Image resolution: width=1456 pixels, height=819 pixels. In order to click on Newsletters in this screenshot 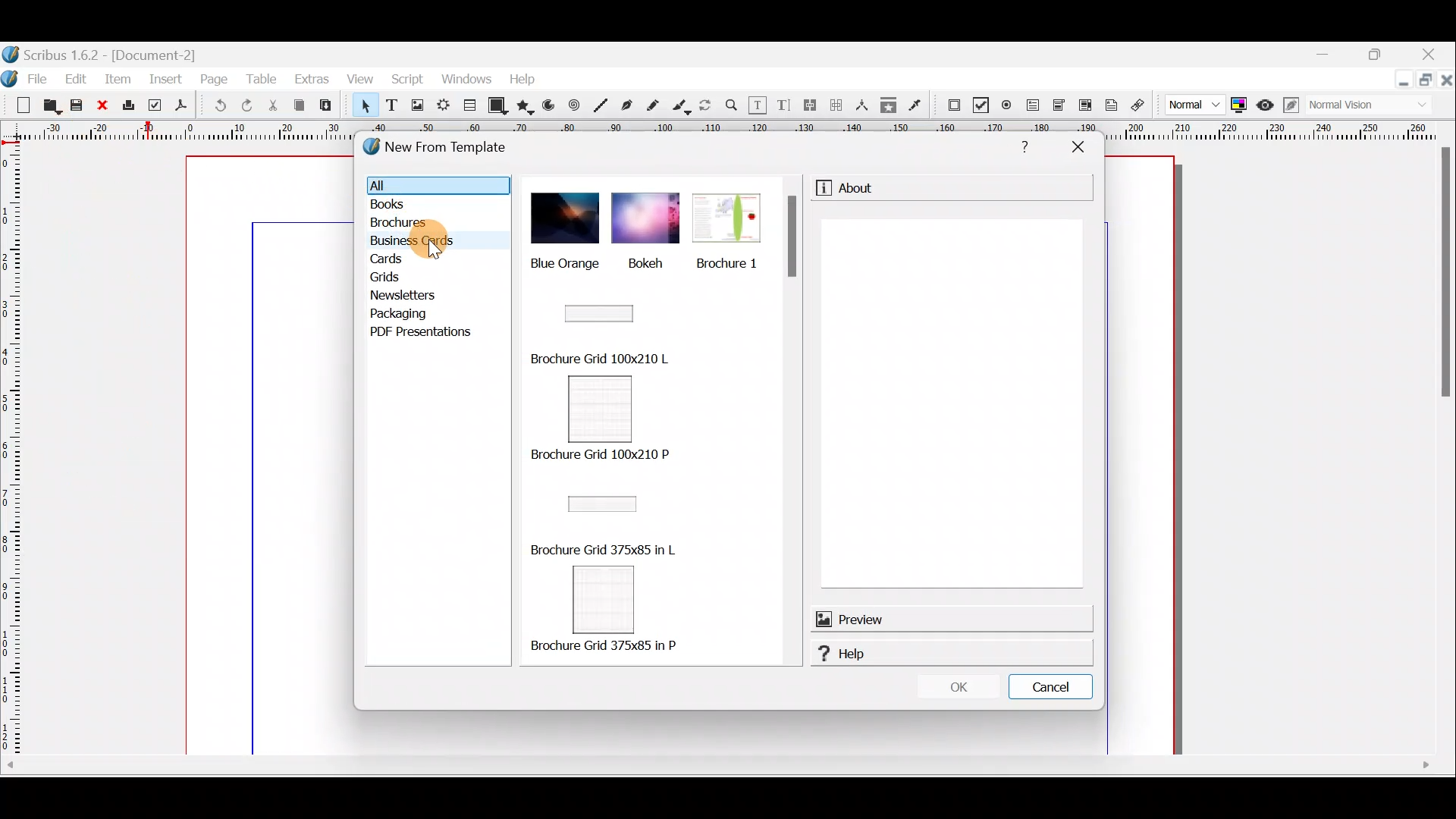, I will do `click(403, 295)`.